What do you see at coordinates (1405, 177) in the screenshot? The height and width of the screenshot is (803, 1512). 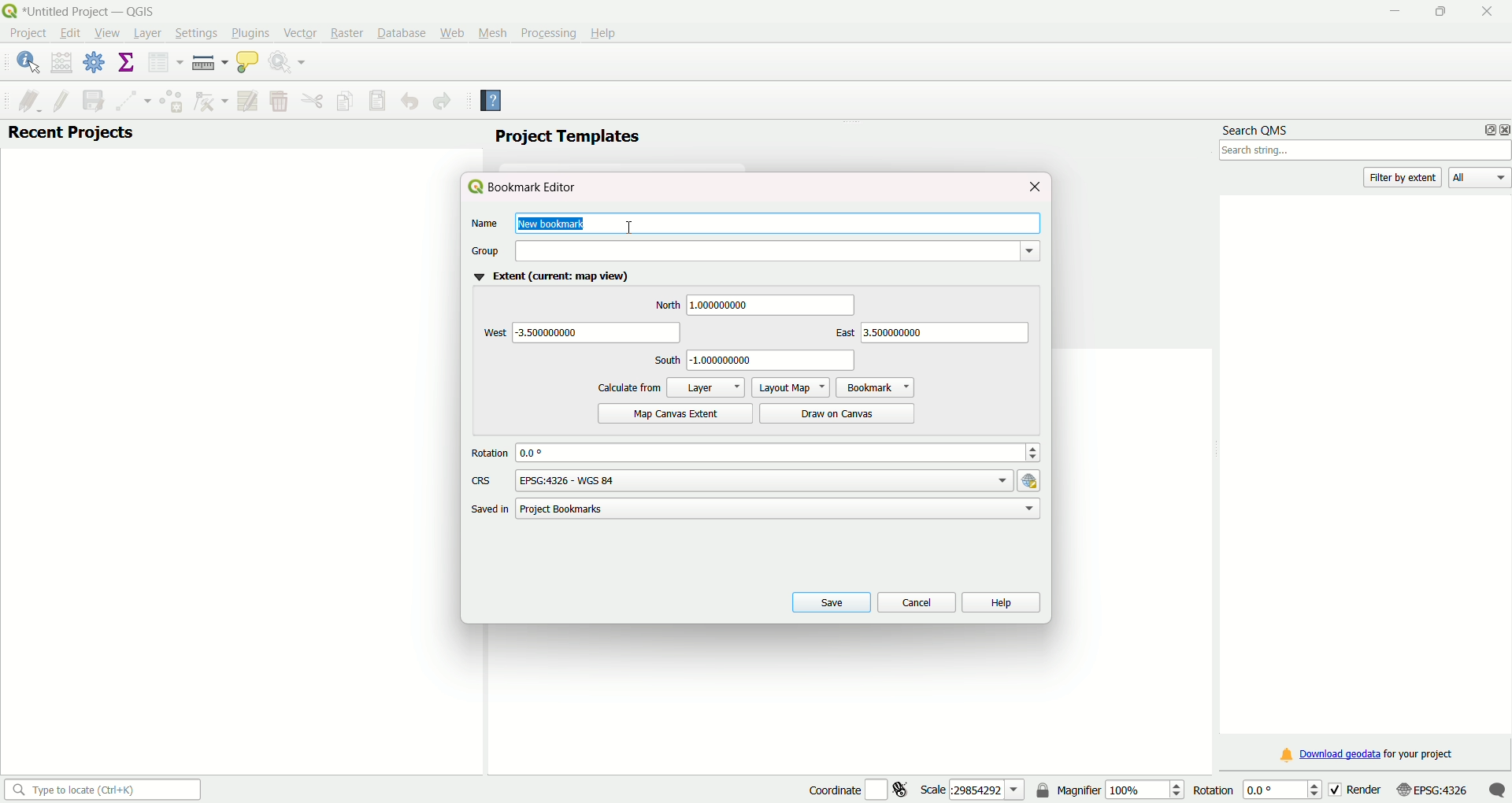 I see `filter` at bounding box center [1405, 177].